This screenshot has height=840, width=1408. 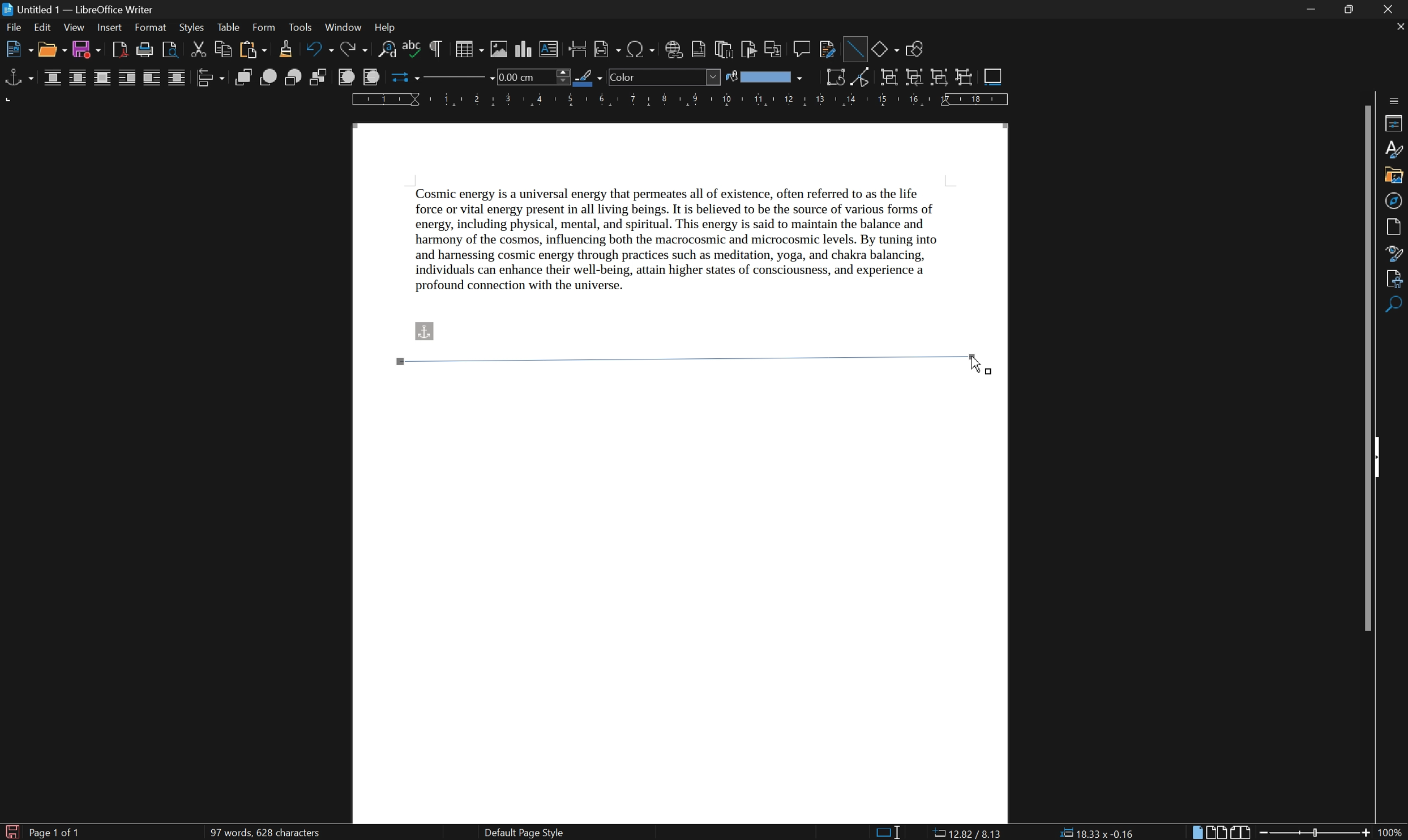 I want to click on line style, so click(x=452, y=80).